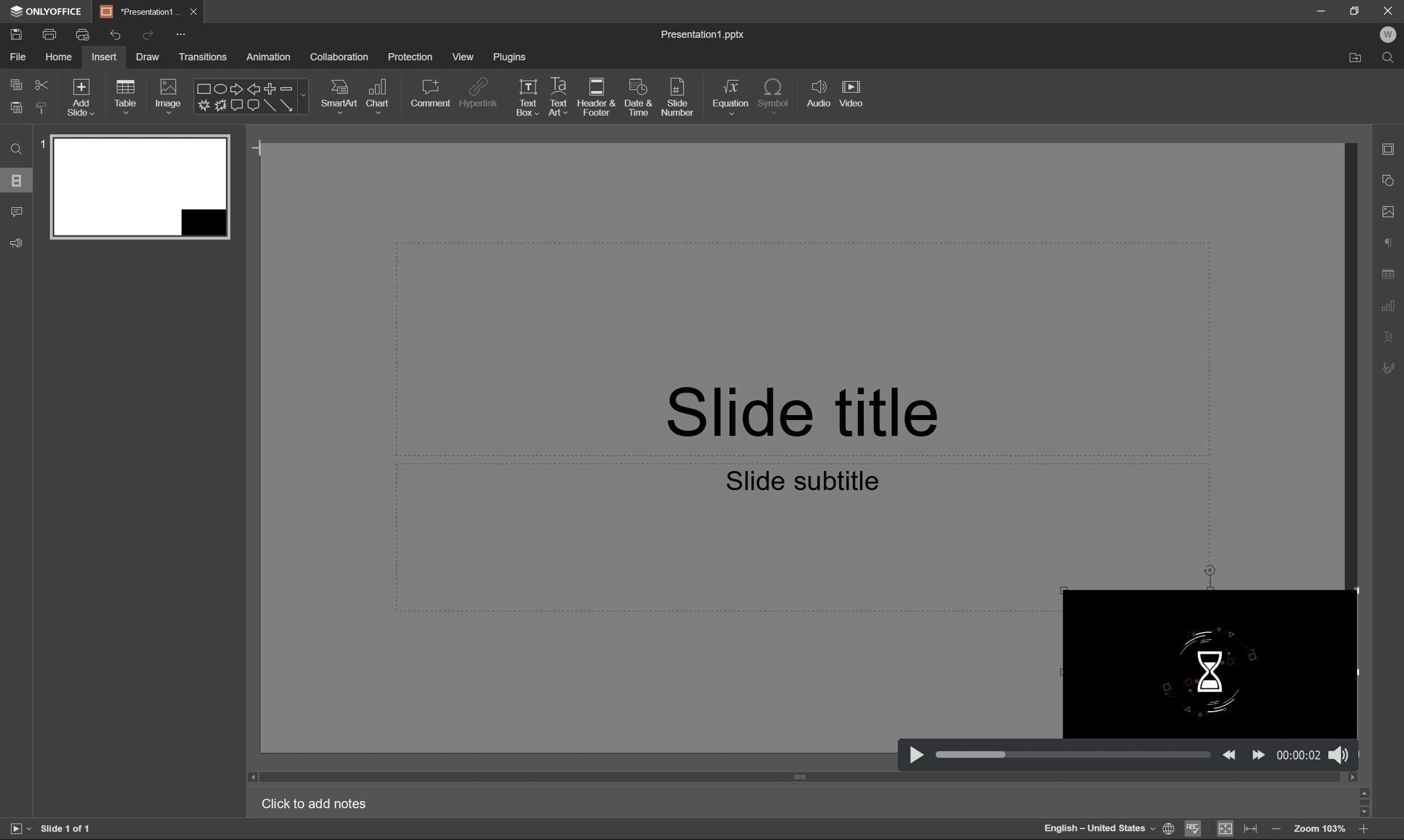 The image size is (1404, 840). Describe the element at coordinates (413, 56) in the screenshot. I see `protection` at that location.